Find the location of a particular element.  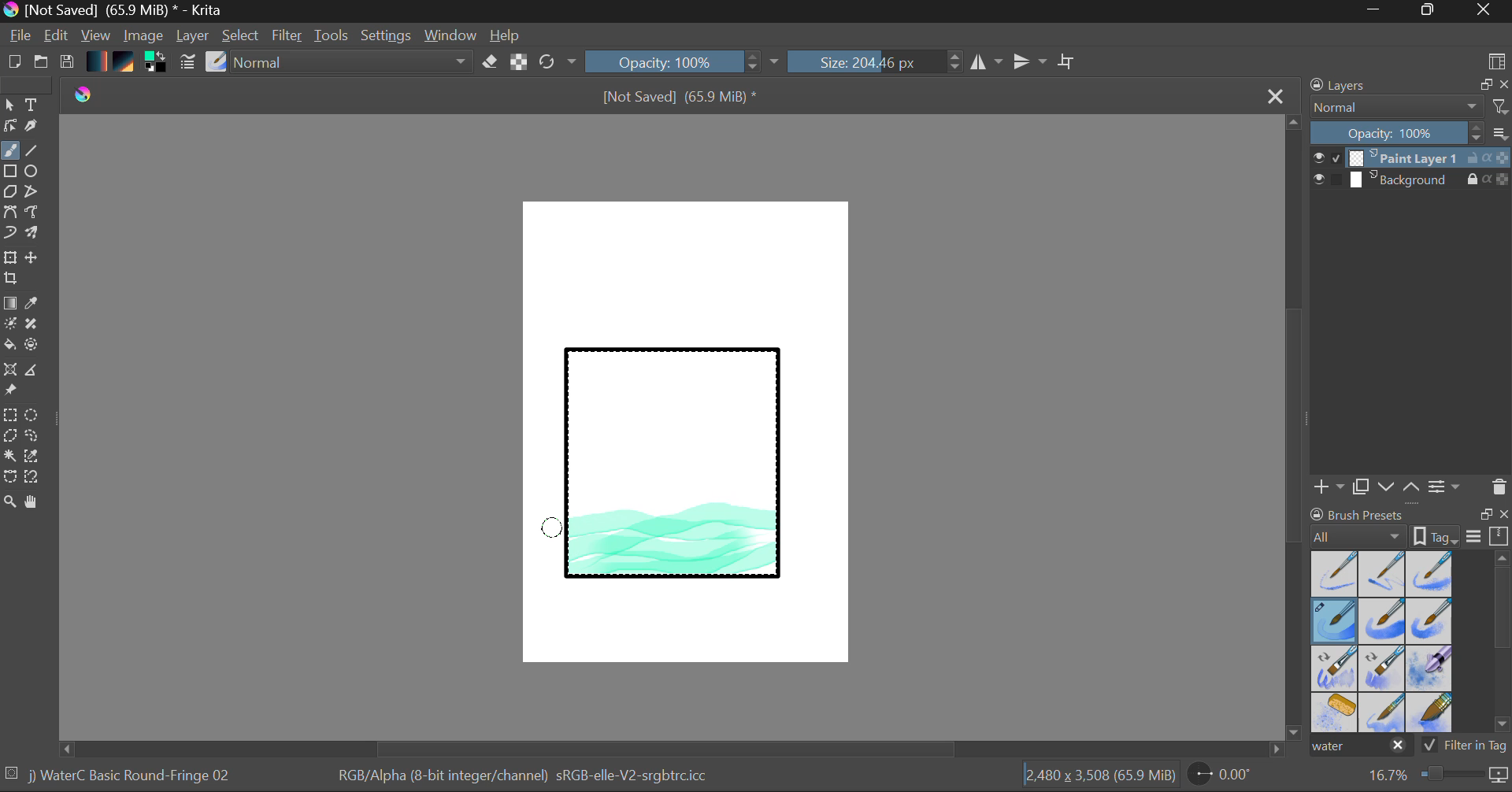

View is located at coordinates (96, 35).